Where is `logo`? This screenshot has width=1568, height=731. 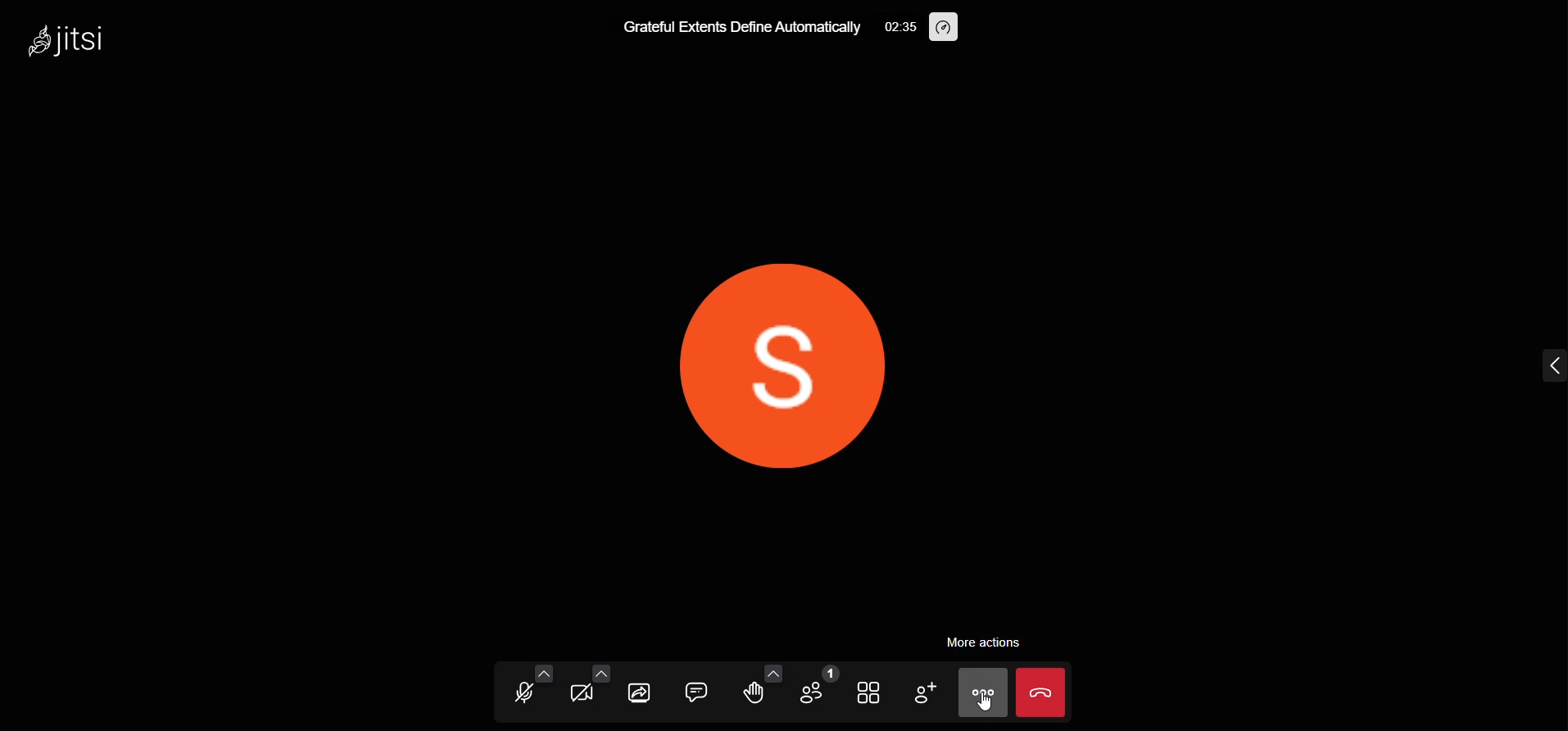
logo is located at coordinates (71, 45).